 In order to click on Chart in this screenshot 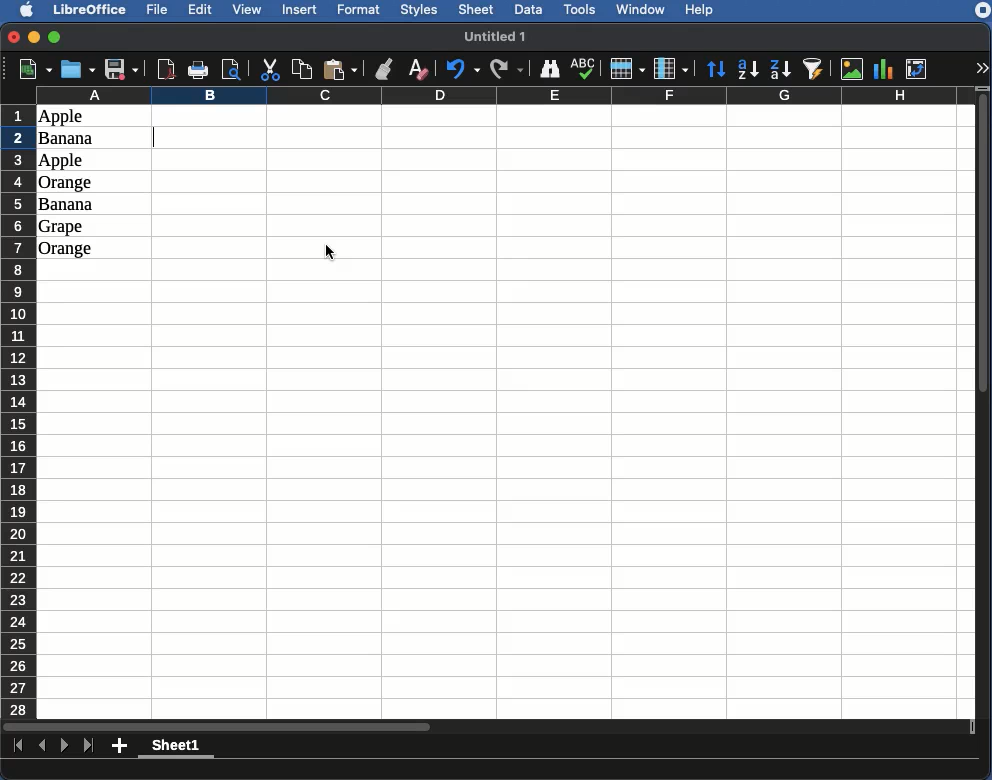, I will do `click(884, 69)`.